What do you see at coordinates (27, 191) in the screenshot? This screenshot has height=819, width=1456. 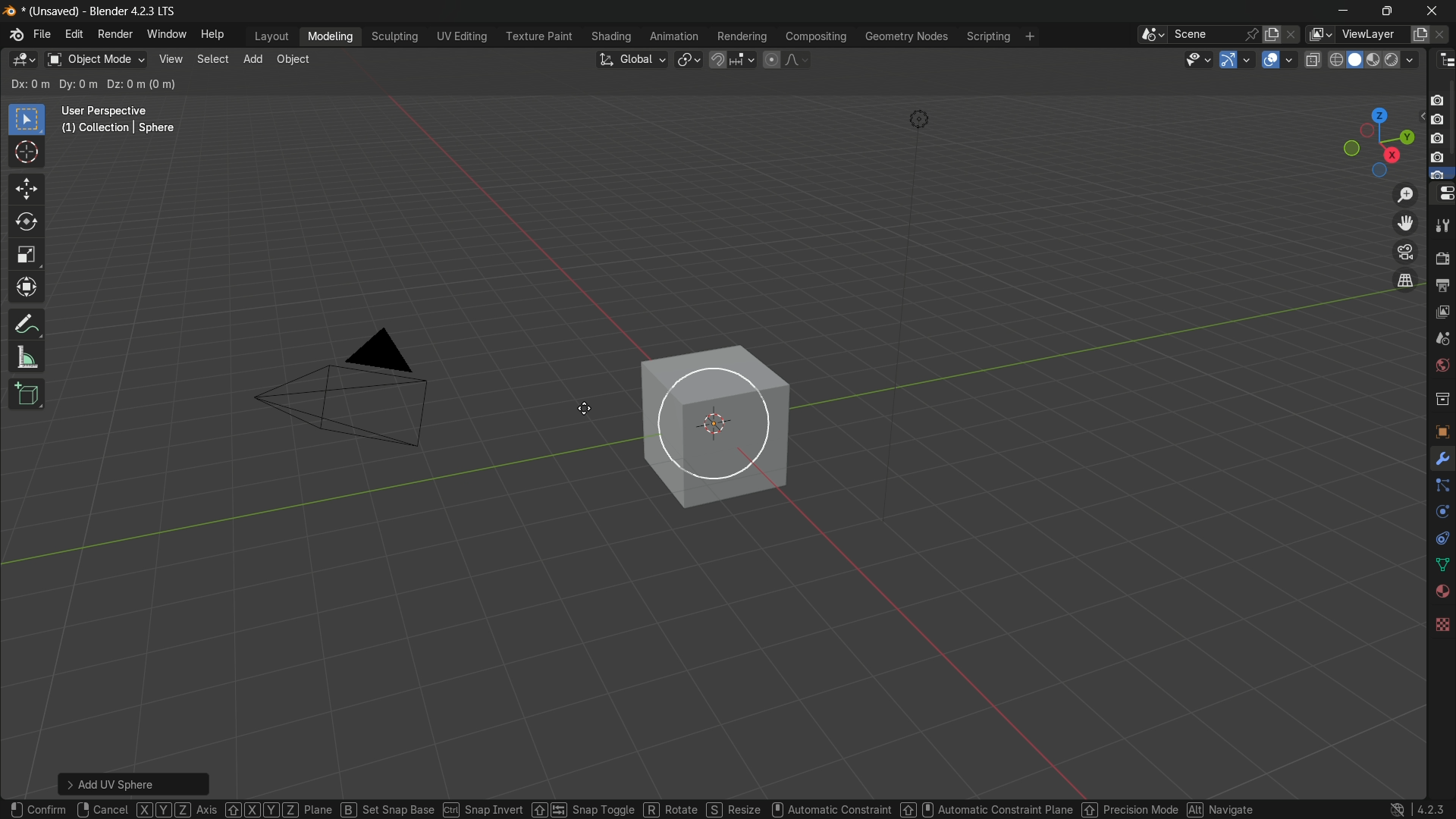 I see `move` at bounding box center [27, 191].